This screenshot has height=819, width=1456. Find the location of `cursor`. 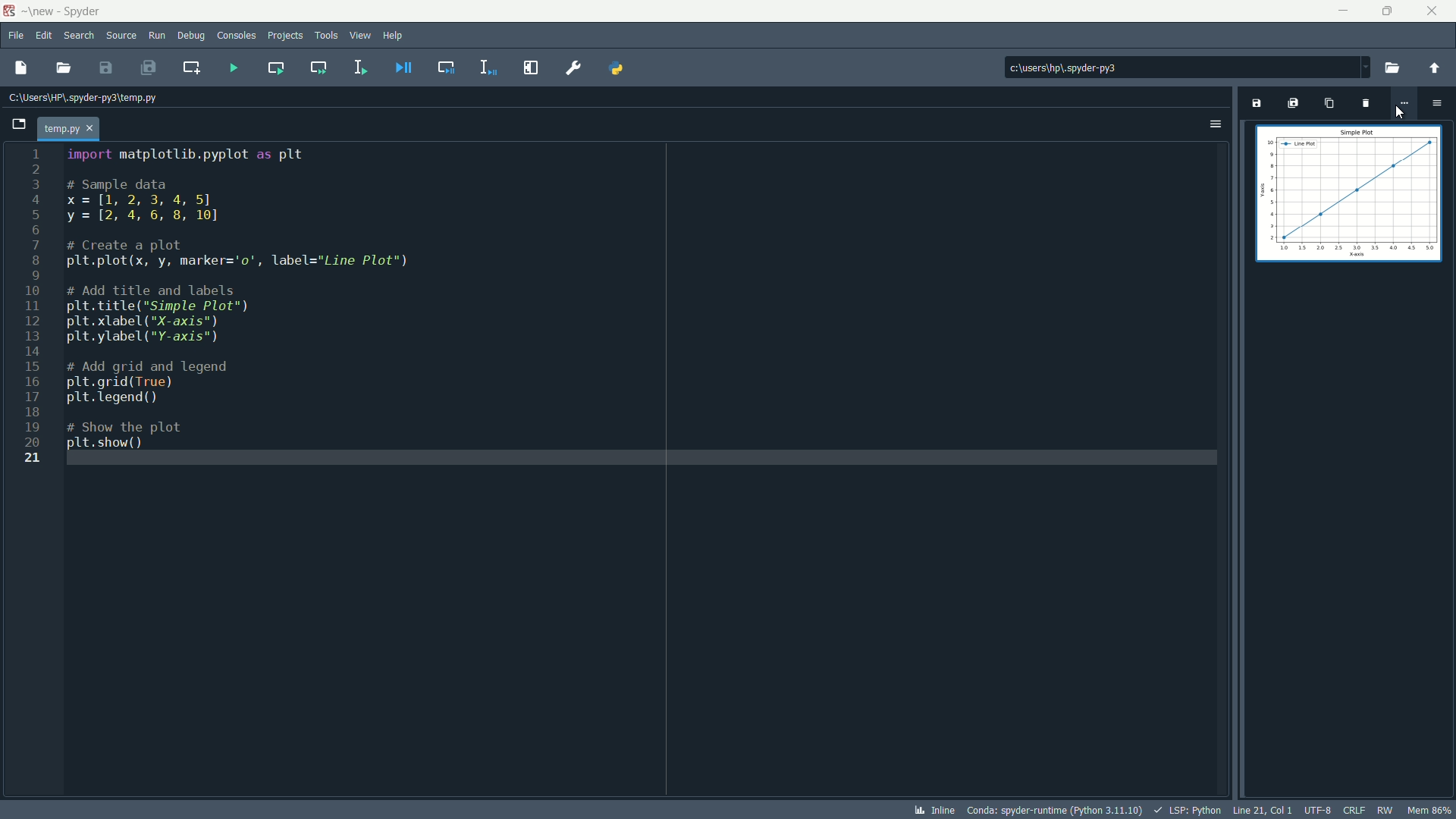

cursor is located at coordinates (1400, 113).